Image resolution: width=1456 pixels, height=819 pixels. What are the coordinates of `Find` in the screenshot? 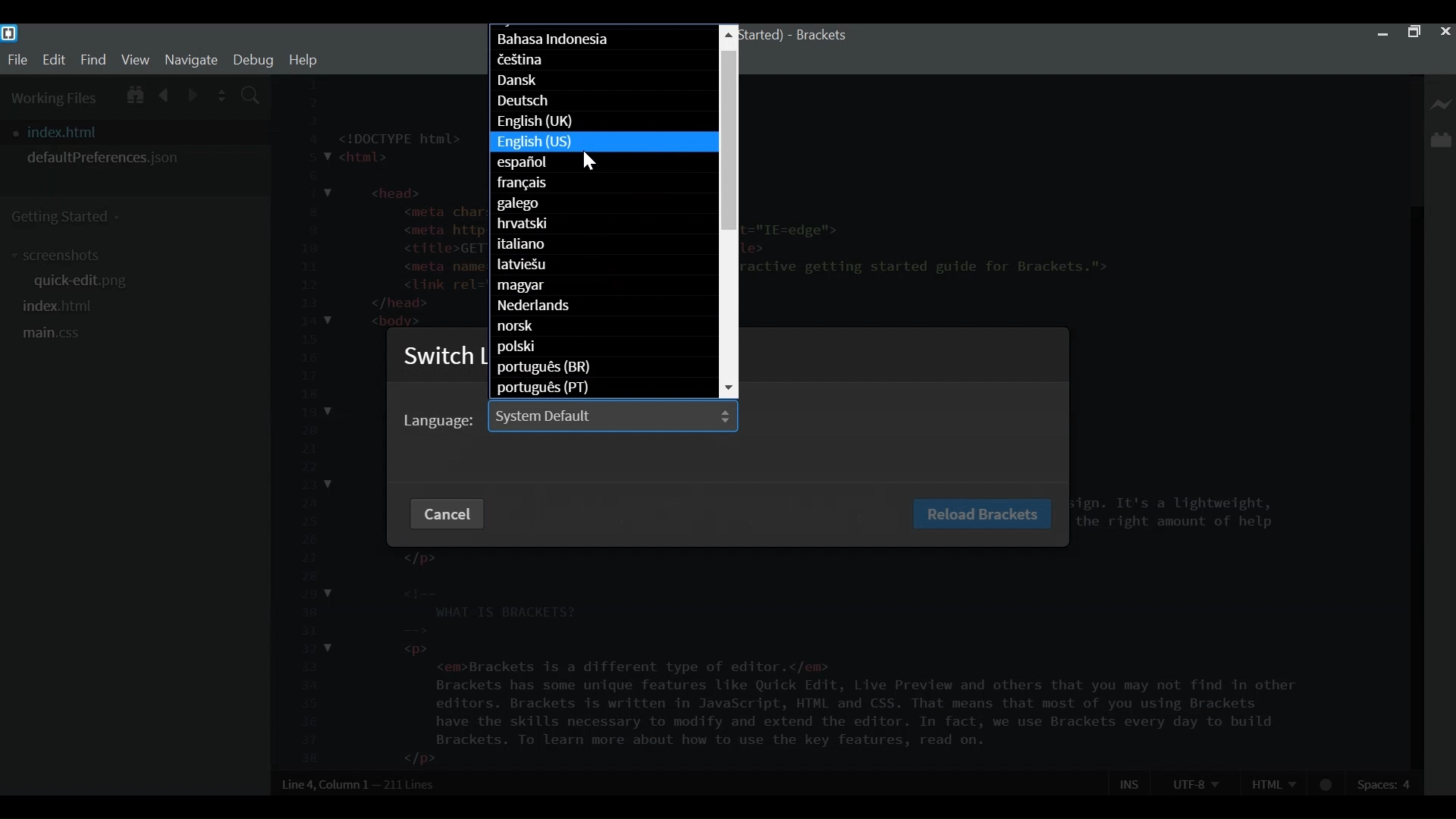 It's located at (93, 59).